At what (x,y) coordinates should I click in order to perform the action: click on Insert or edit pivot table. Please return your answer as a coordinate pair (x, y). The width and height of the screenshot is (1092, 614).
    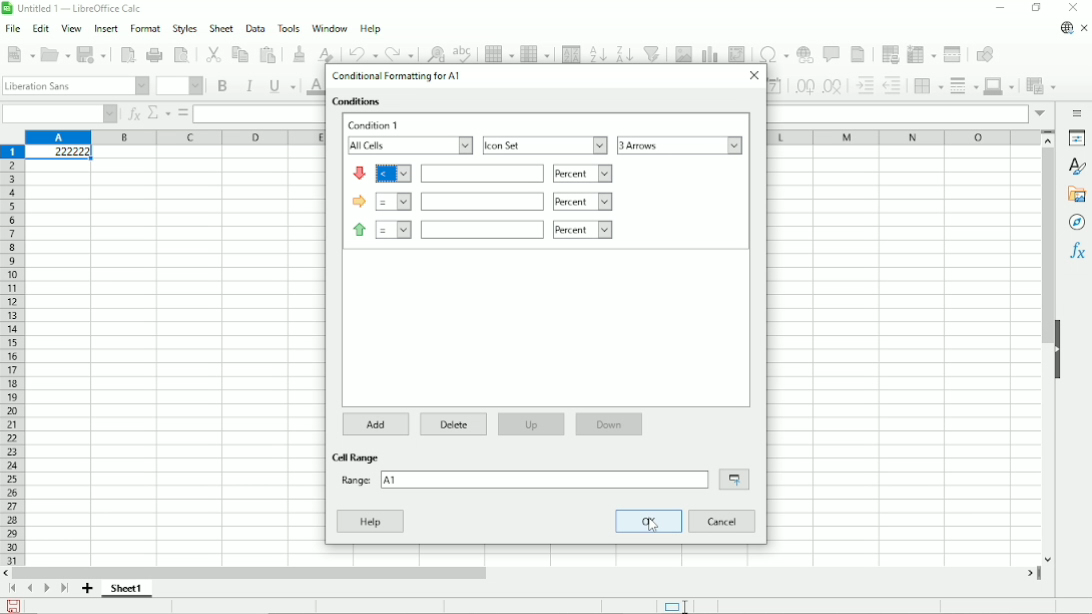
    Looking at the image, I should click on (736, 52).